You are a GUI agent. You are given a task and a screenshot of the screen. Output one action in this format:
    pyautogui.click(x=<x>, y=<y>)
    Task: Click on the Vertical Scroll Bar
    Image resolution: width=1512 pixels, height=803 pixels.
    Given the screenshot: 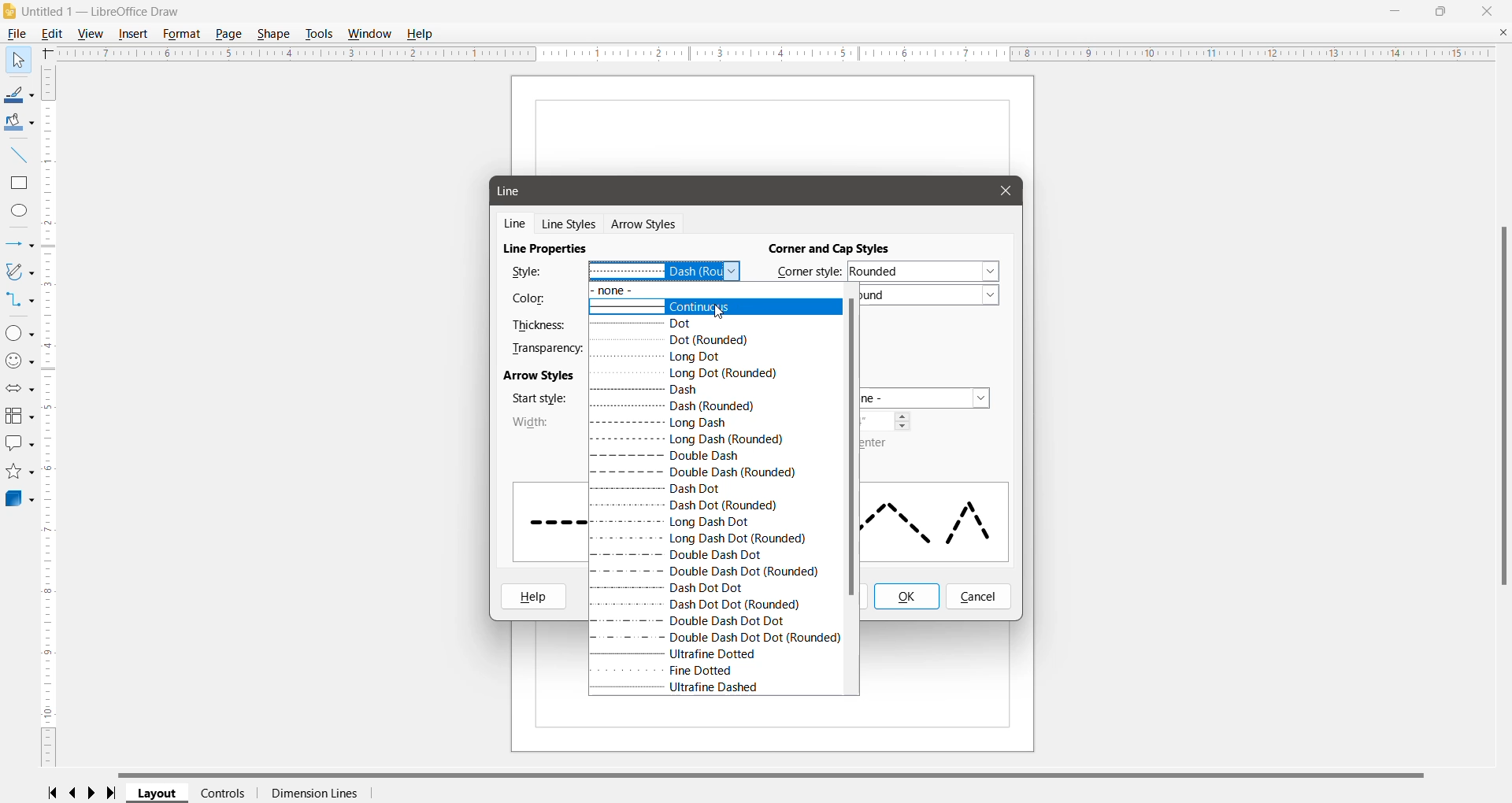 What is the action you would take?
    pyautogui.click(x=50, y=415)
    